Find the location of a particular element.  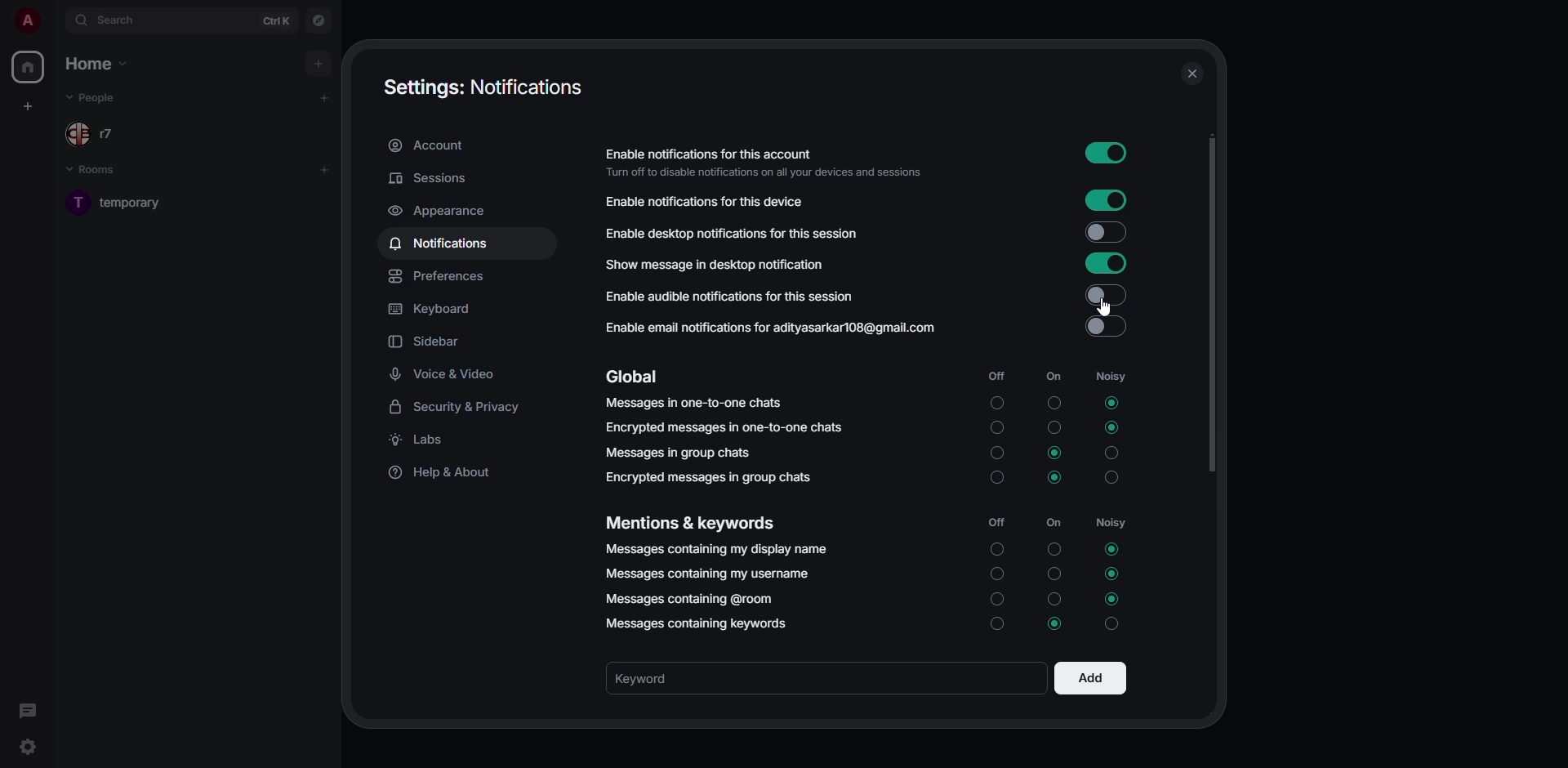

account is located at coordinates (429, 145).